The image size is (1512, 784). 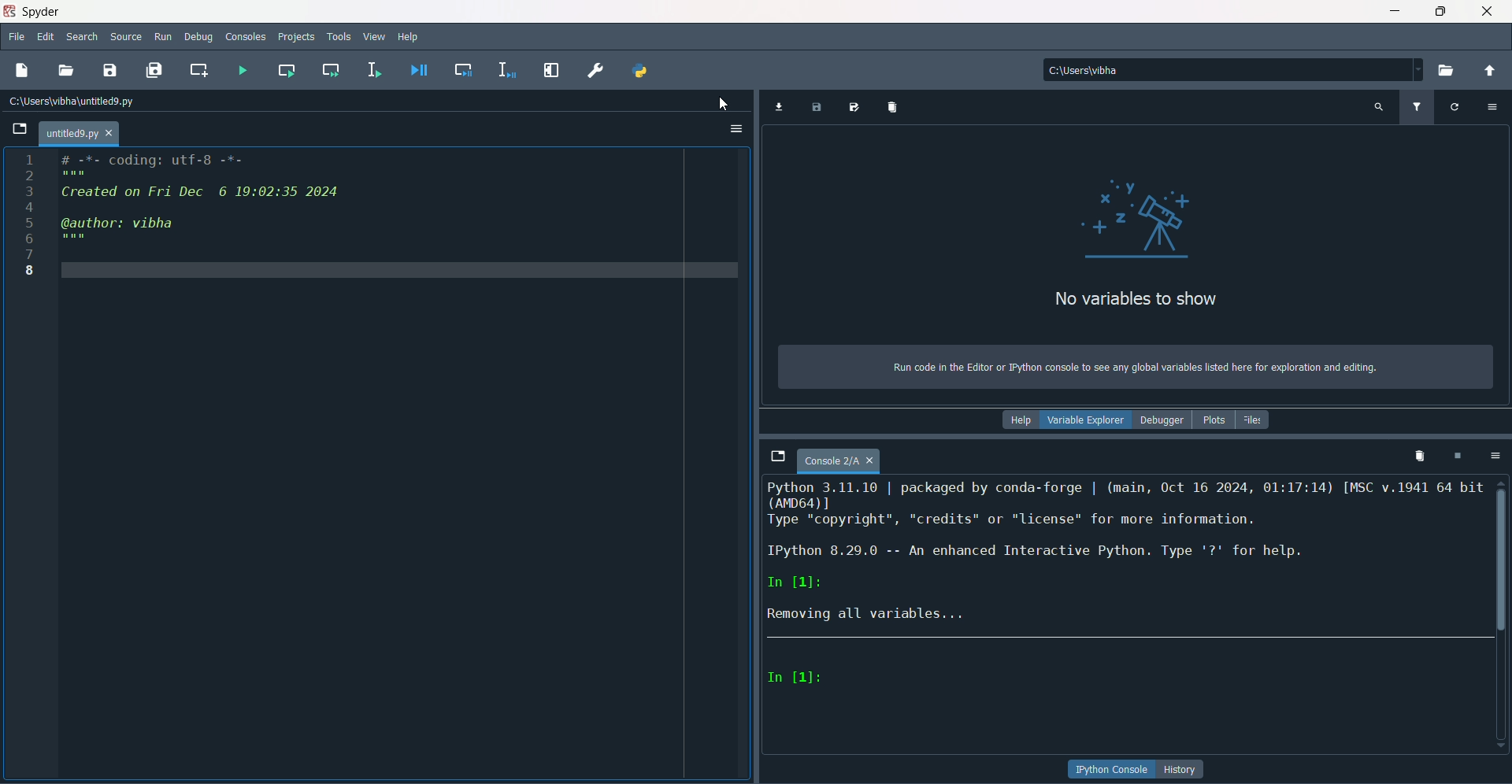 What do you see at coordinates (465, 70) in the screenshot?
I see `debug cell` at bounding box center [465, 70].